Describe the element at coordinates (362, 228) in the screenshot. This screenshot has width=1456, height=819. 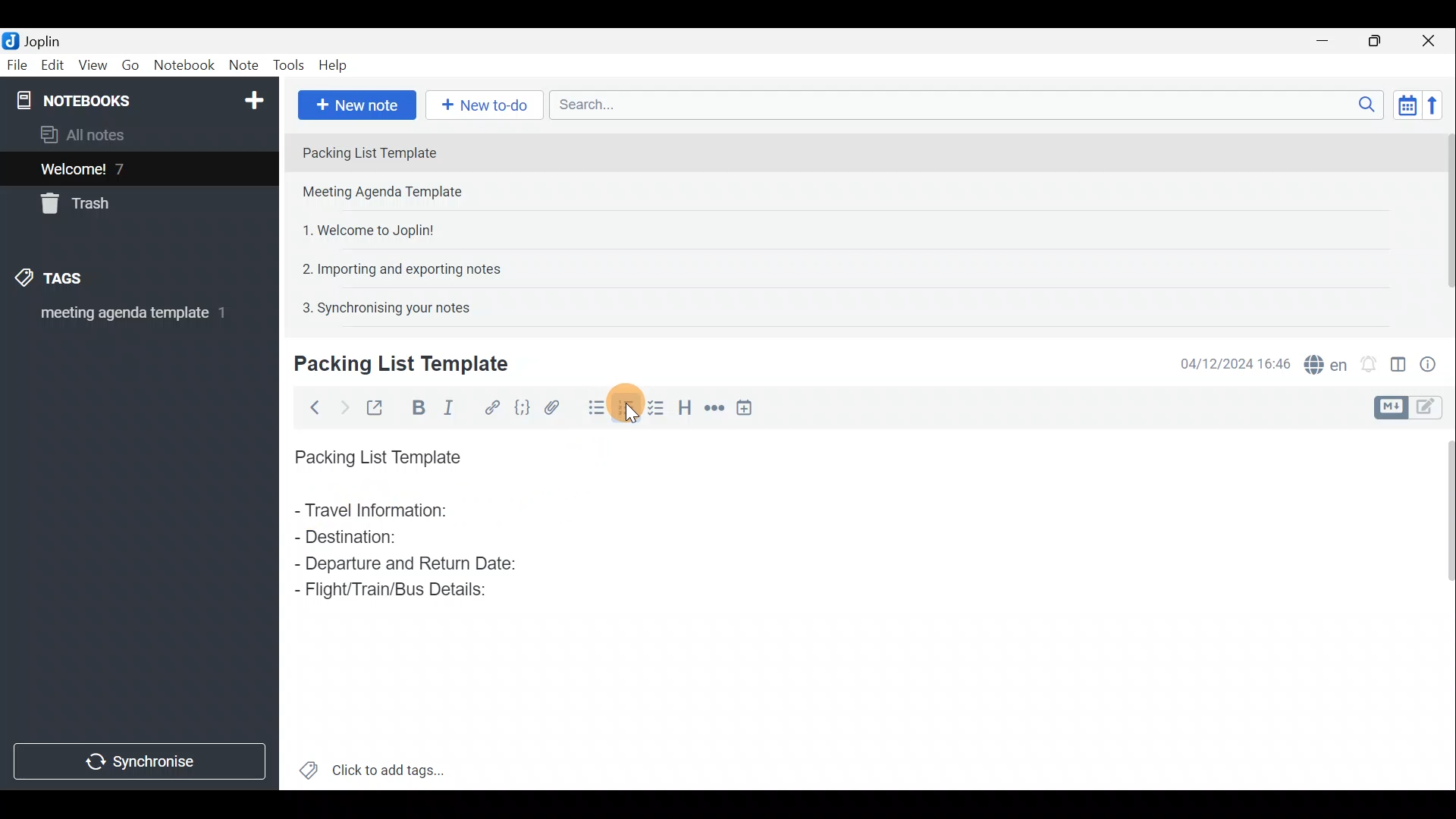
I see `Note 3` at that location.